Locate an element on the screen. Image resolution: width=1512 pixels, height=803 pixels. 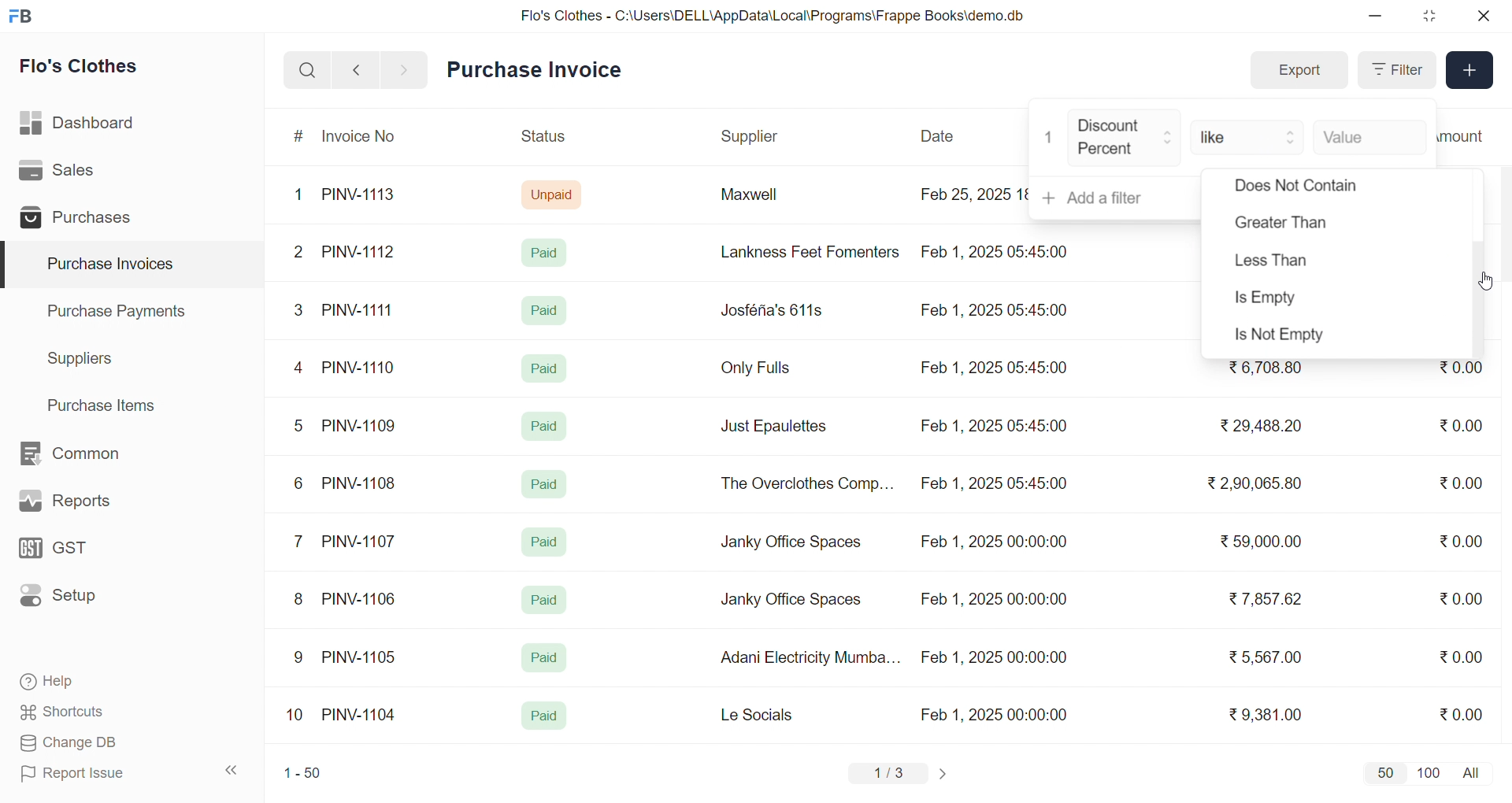
cursor is located at coordinates (1488, 281).